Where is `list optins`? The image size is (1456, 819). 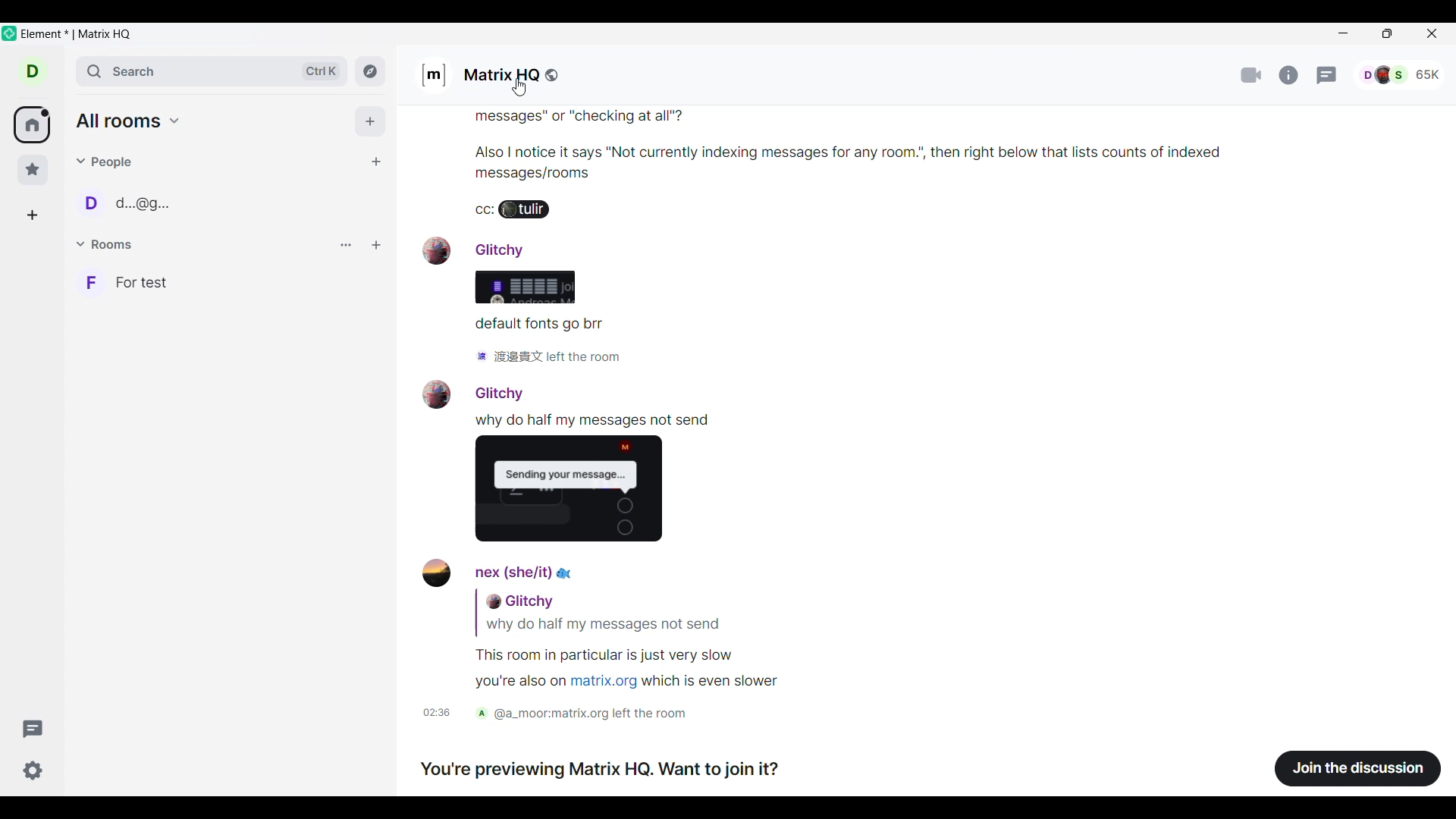
list optins is located at coordinates (346, 246).